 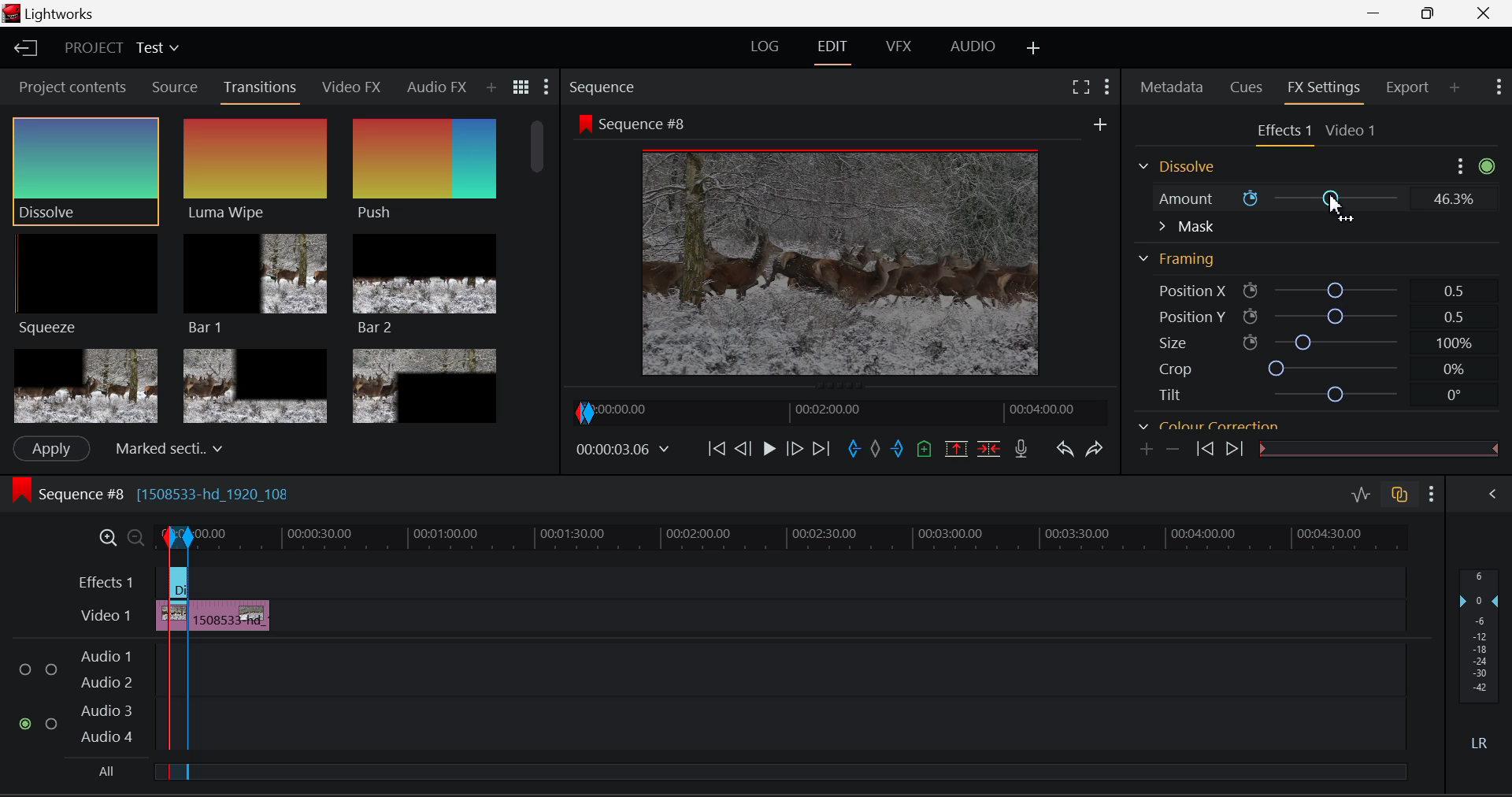 I want to click on Go Back, so click(x=743, y=450).